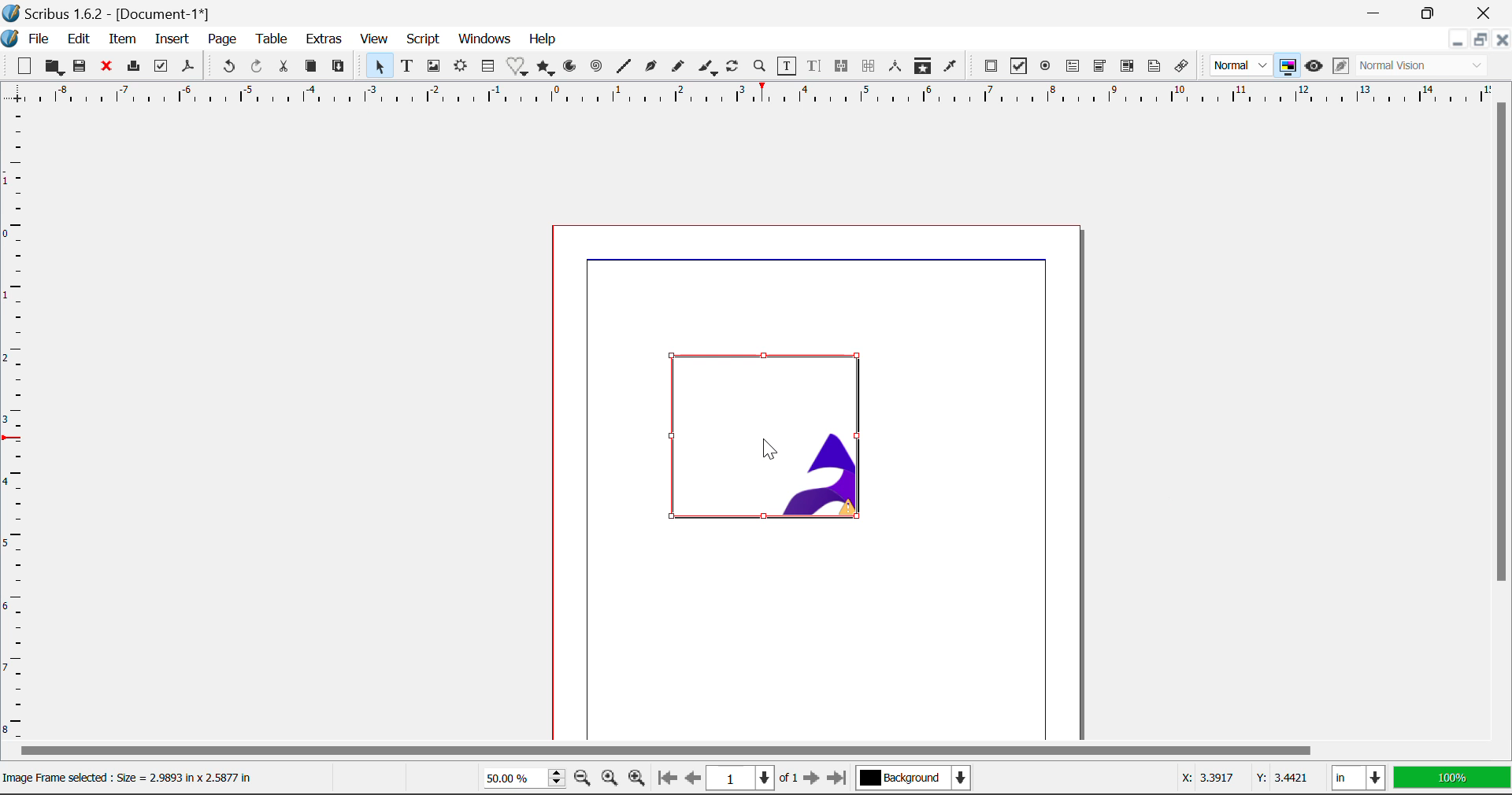 The height and width of the screenshot is (795, 1512). Describe the element at coordinates (80, 68) in the screenshot. I see `Save` at that location.